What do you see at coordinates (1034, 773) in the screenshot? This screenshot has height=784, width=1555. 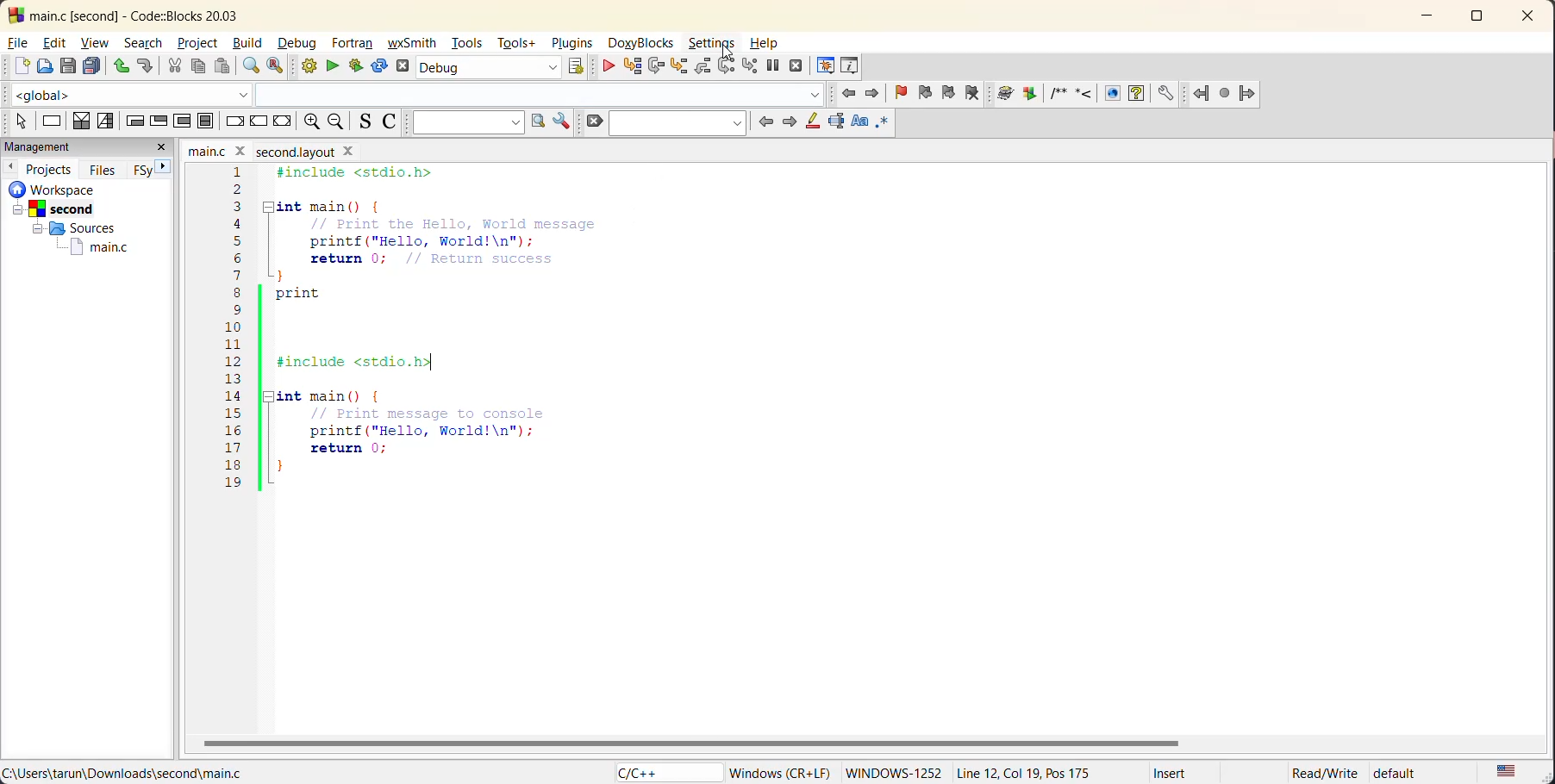 I see `Line 12, col 19, pos 175` at bounding box center [1034, 773].